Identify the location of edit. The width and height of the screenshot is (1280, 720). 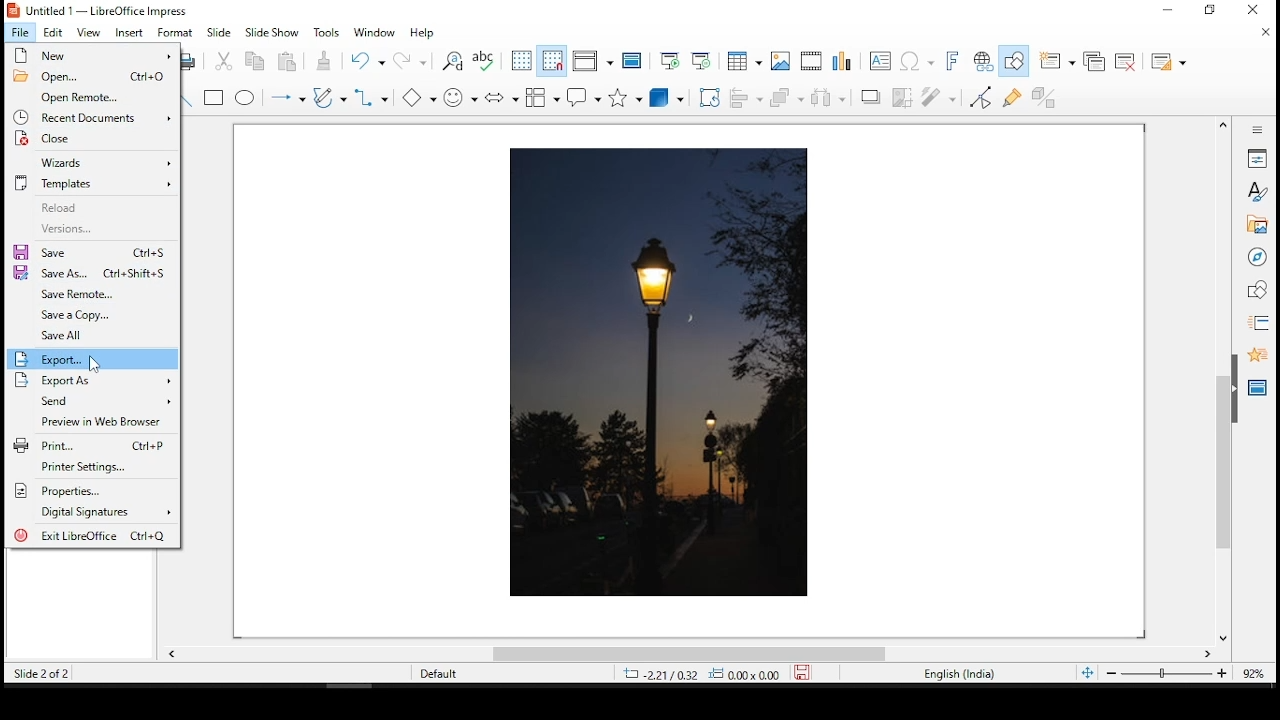
(51, 31).